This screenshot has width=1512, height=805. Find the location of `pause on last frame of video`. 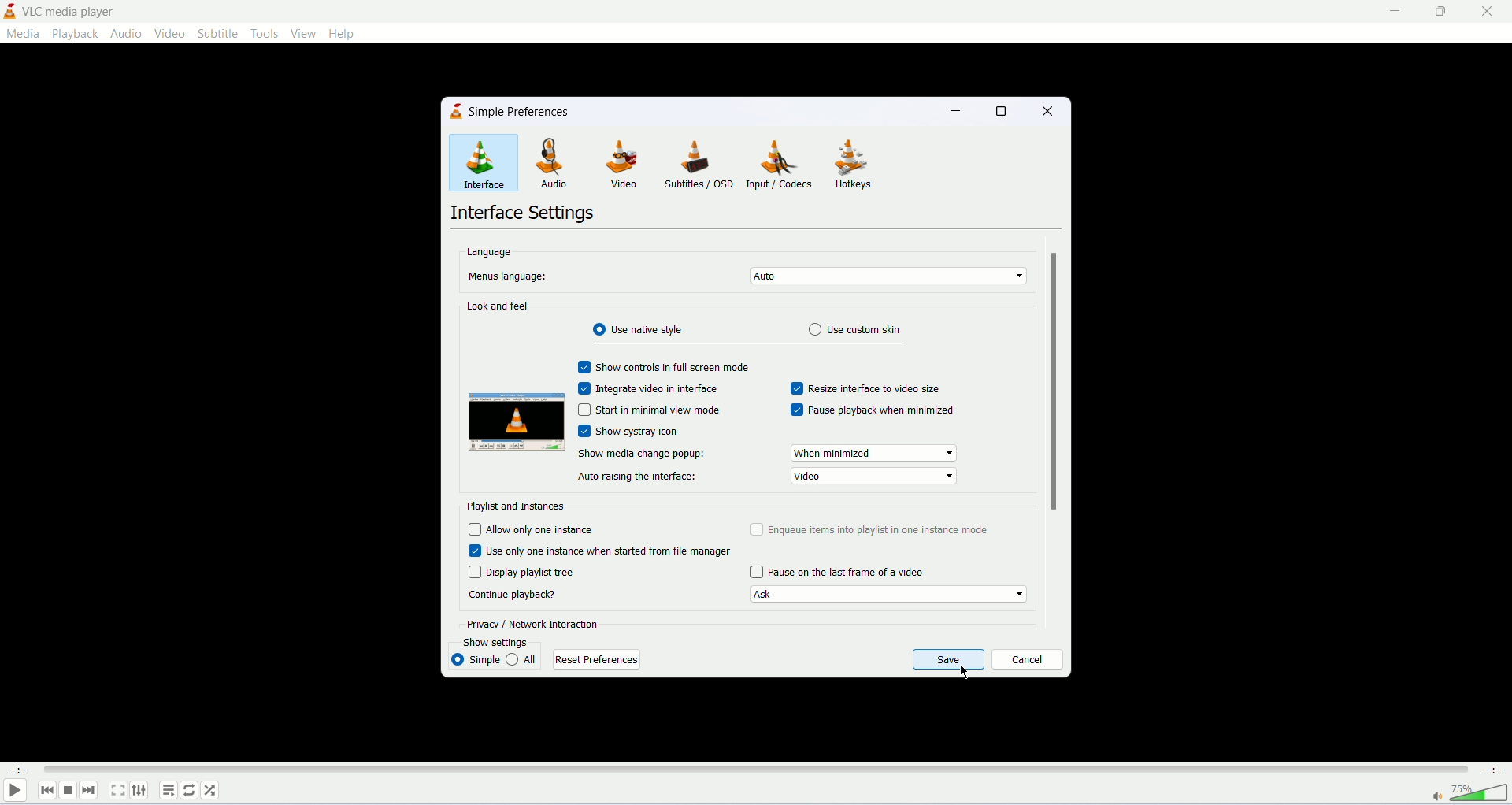

pause on last frame of video is located at coordinates (846, 571).